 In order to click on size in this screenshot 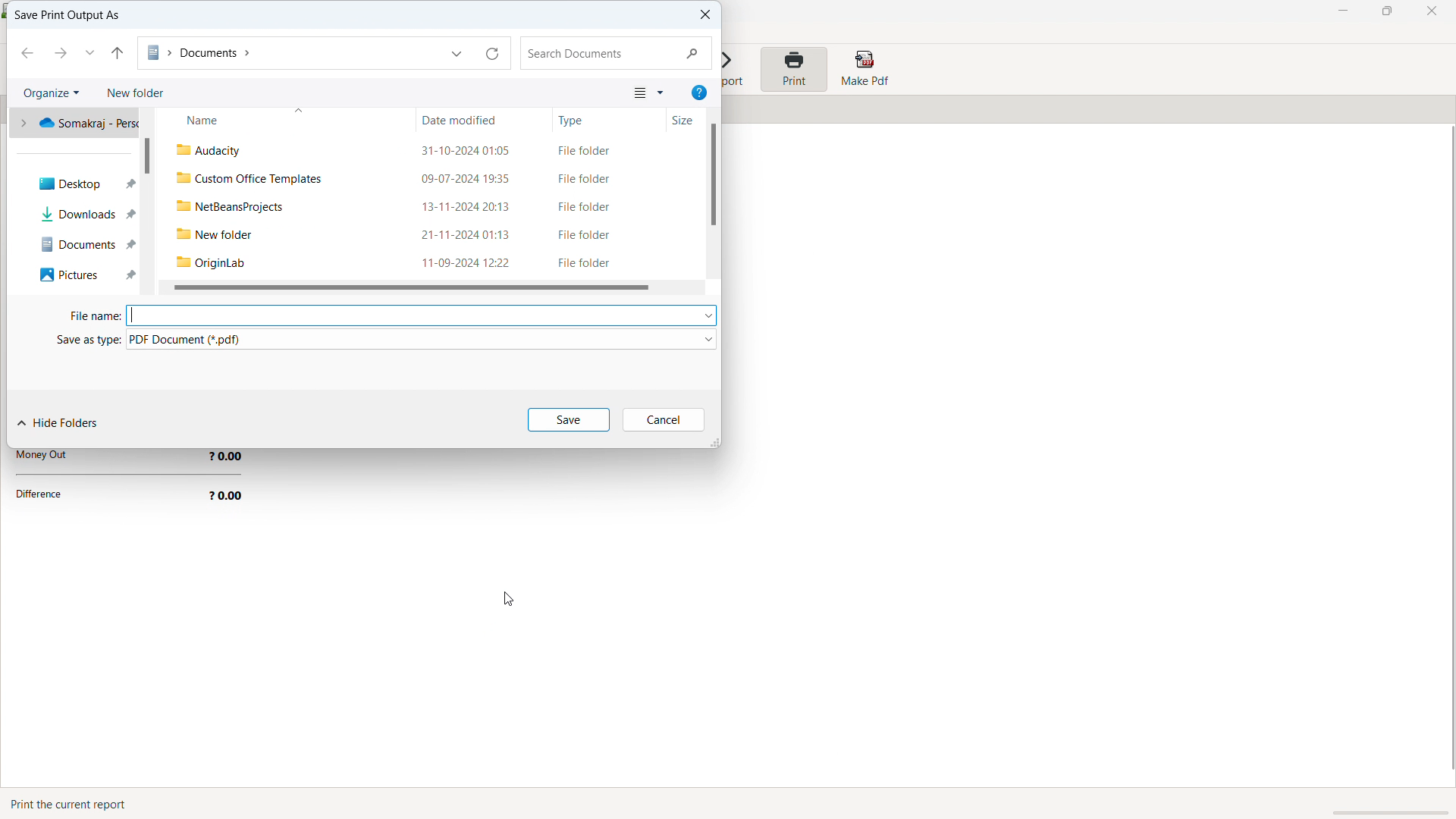, I will do `click(673, 121)`.